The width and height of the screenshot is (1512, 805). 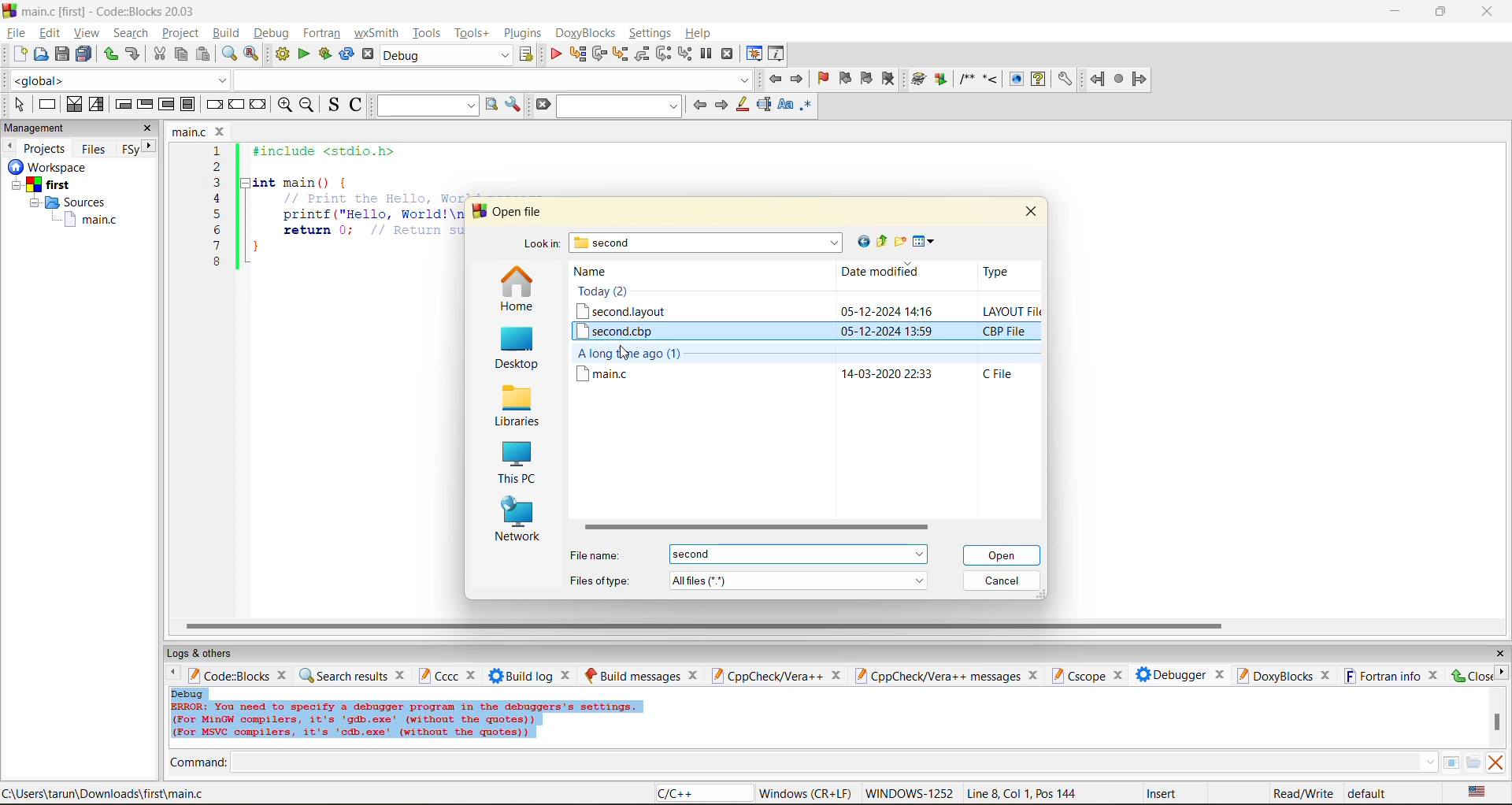 What do you see at coordinates (632, 675) in the screenshot?
I see `build messages` at bounding box center [632, 675].